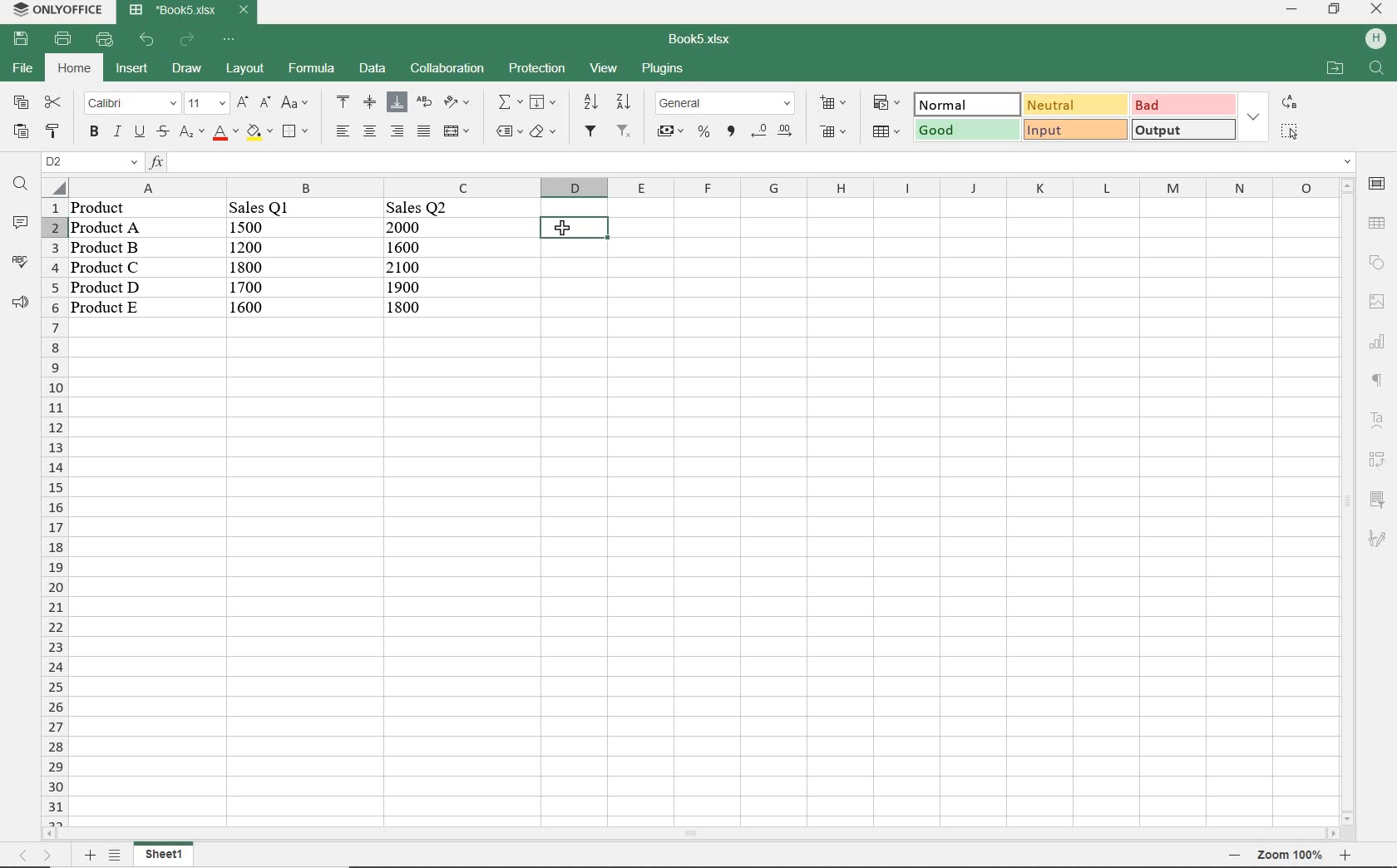 Image resolution: width=1397 pixels, height=868 pixels. What do you see at coordinates (116, 856) in the screenshot?
I see `list sheet` at bounding box center [116, 856].